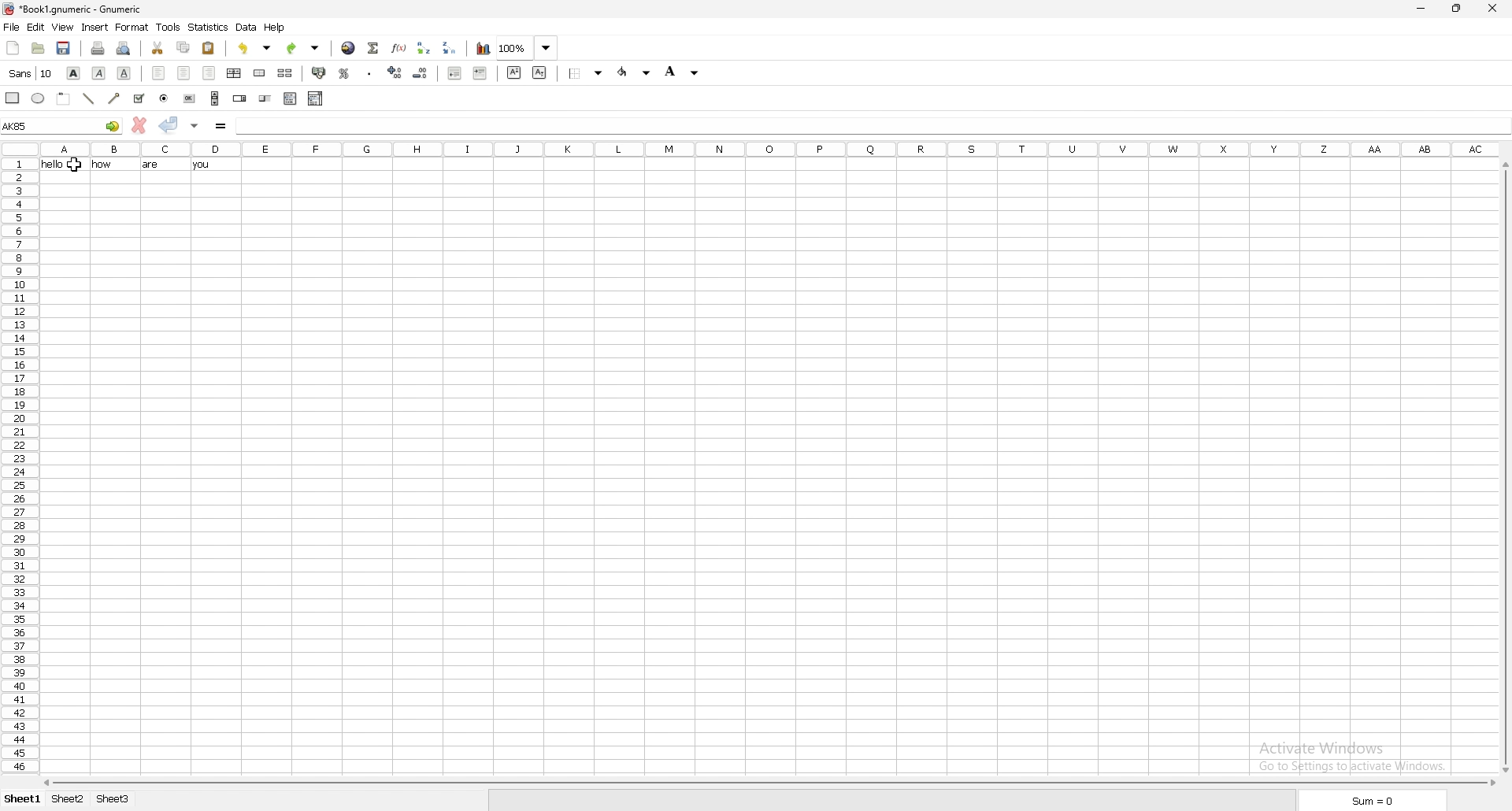  I want to click on rectangle, so click(12, 98).